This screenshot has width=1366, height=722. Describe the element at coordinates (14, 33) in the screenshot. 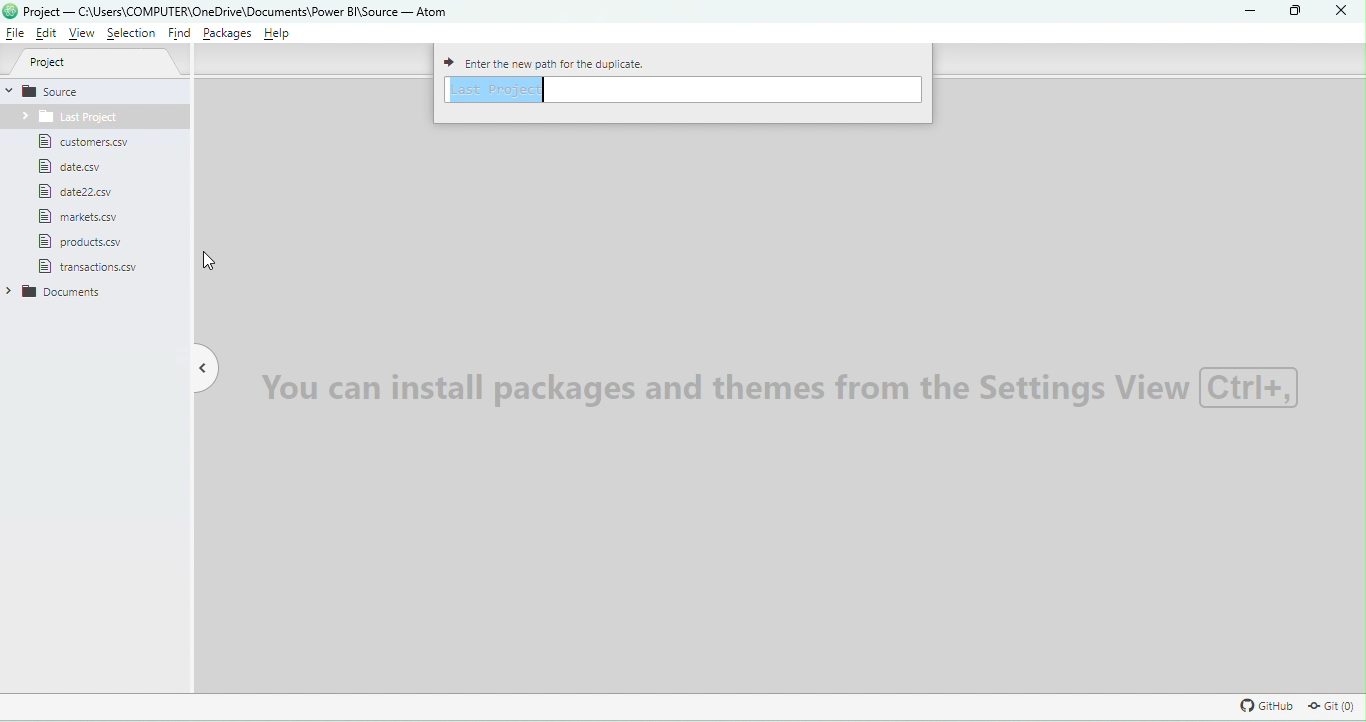

I see `` at that location.